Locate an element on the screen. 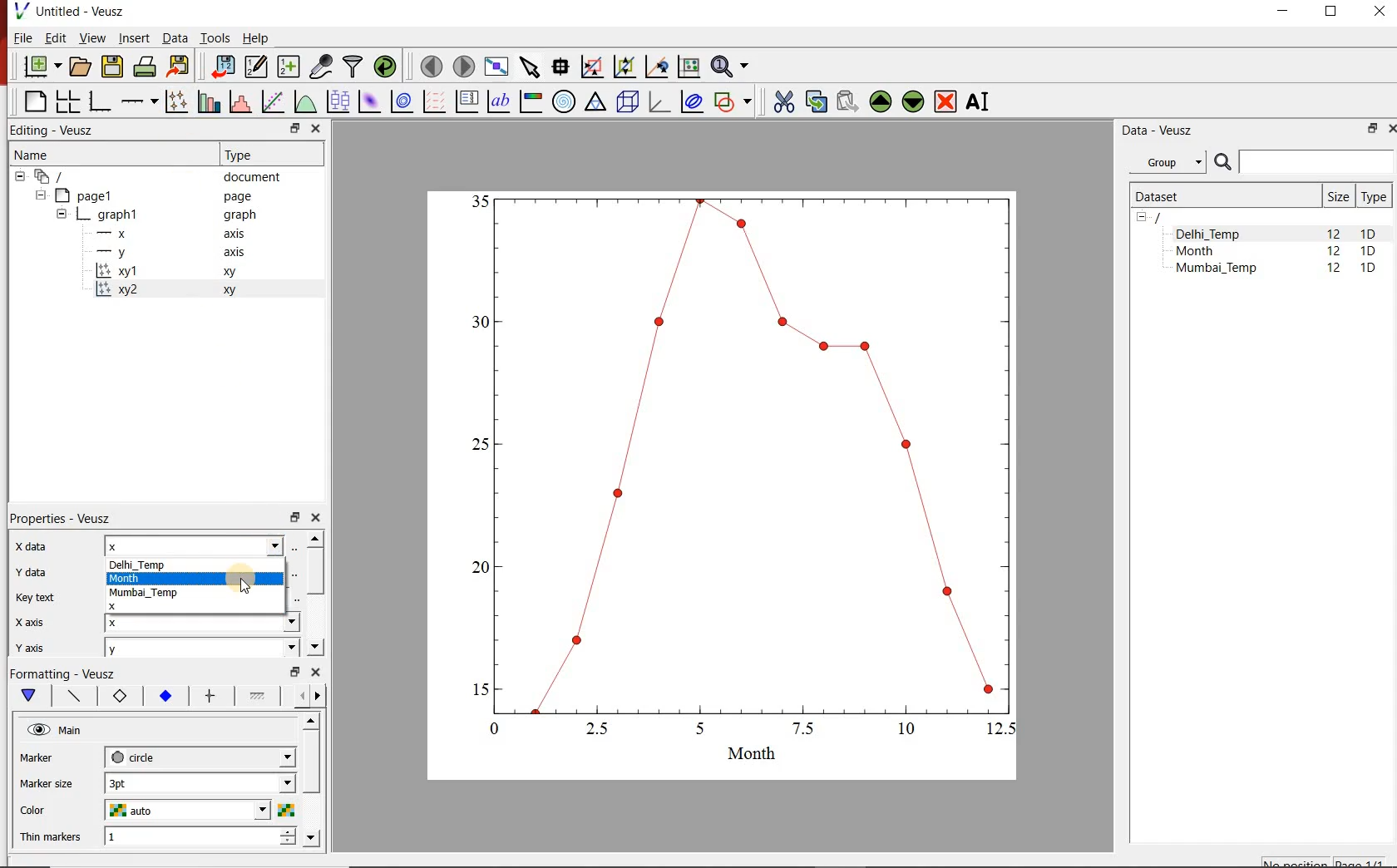 Image resolution: width=1397 pixels, height=868 pixels. remove the selected widgets is located at coordinates (946, 101).